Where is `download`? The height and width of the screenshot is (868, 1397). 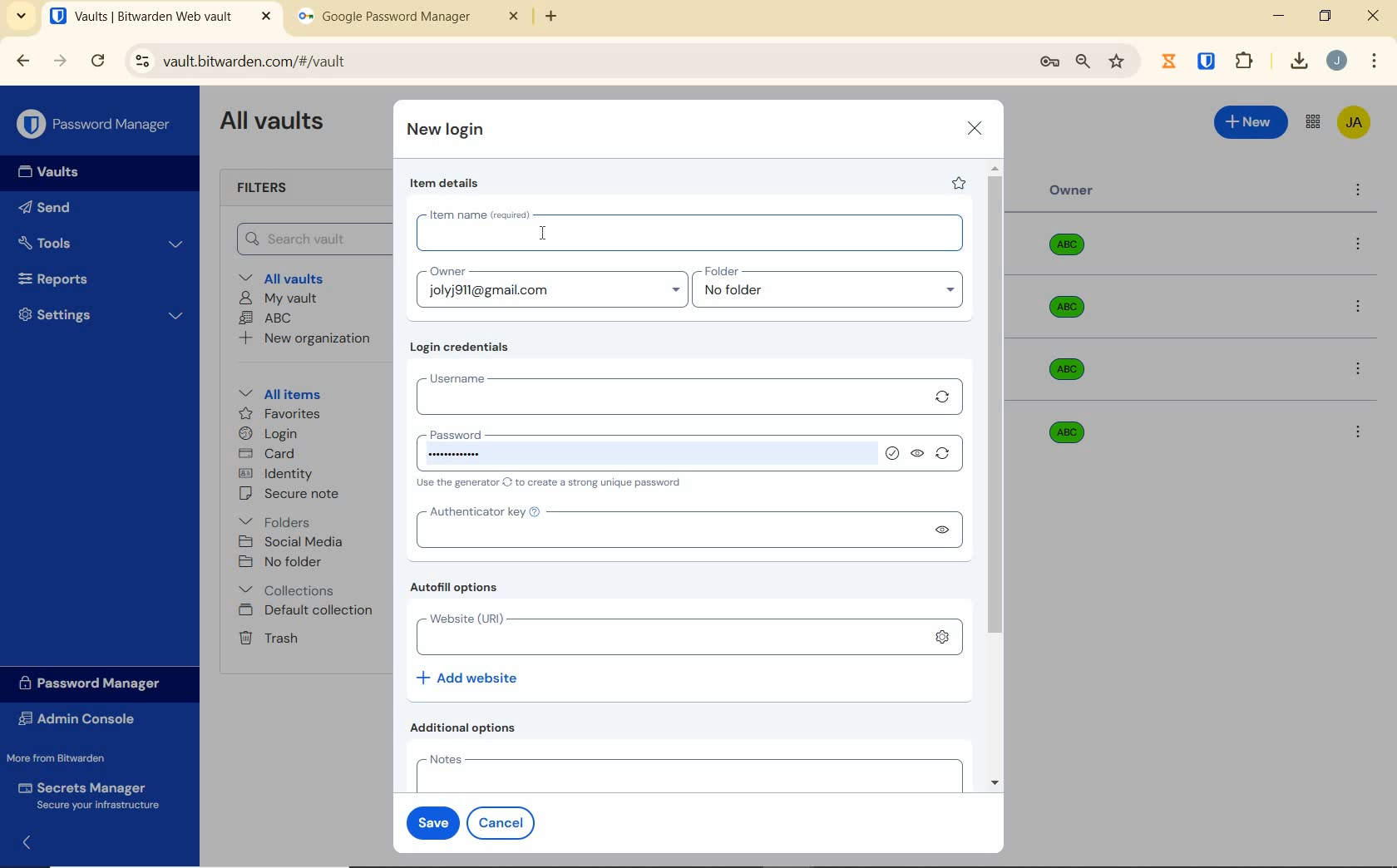 download is located at coordinates (1298, 61).